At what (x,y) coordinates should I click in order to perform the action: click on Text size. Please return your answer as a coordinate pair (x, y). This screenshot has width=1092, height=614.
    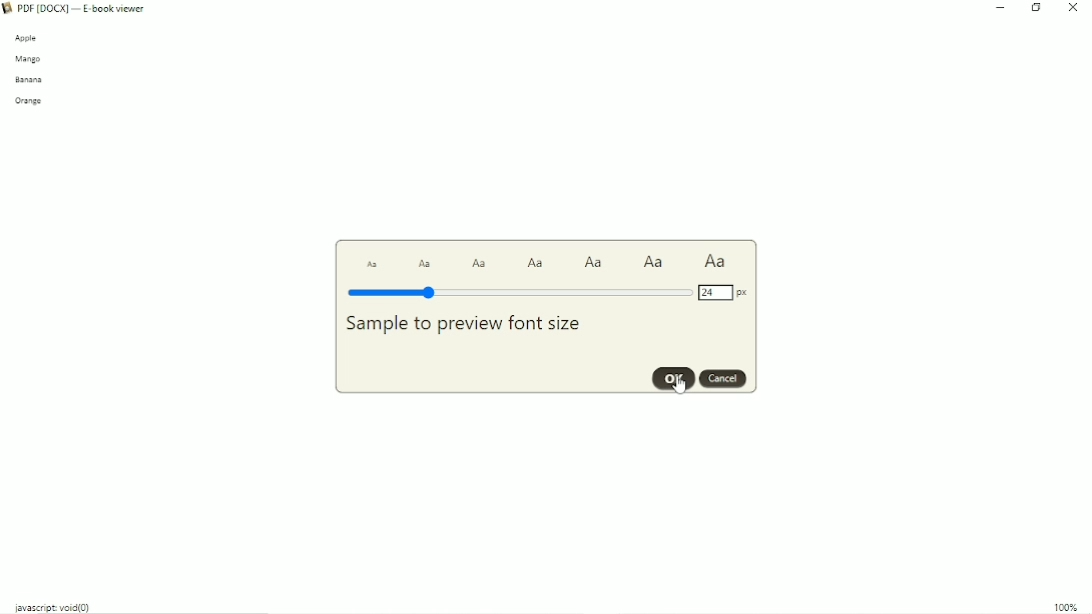
    Looking at the image, I should click on (480, 264).